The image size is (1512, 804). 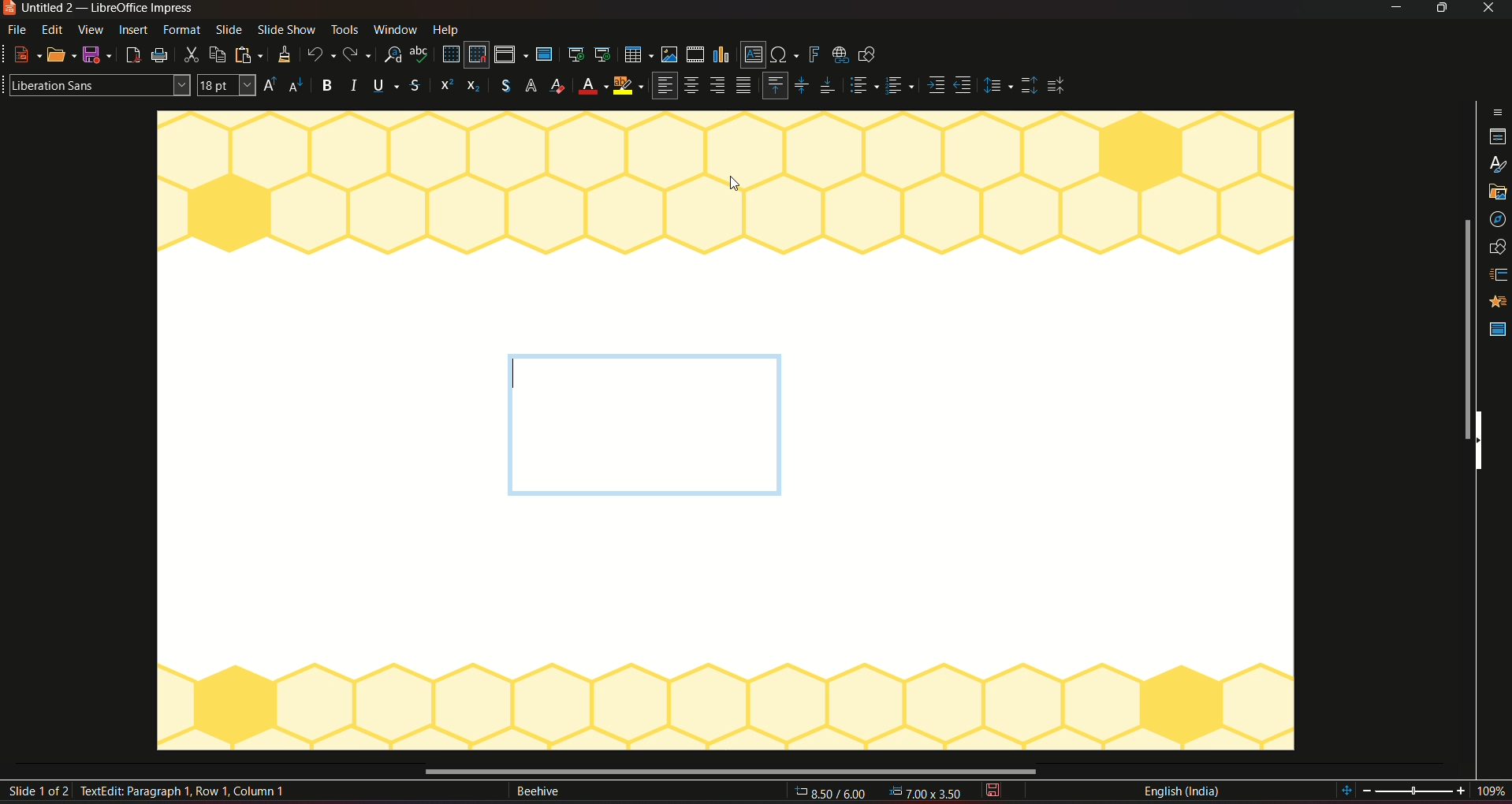 I want to click on display grid, so click(x=450, y=54).